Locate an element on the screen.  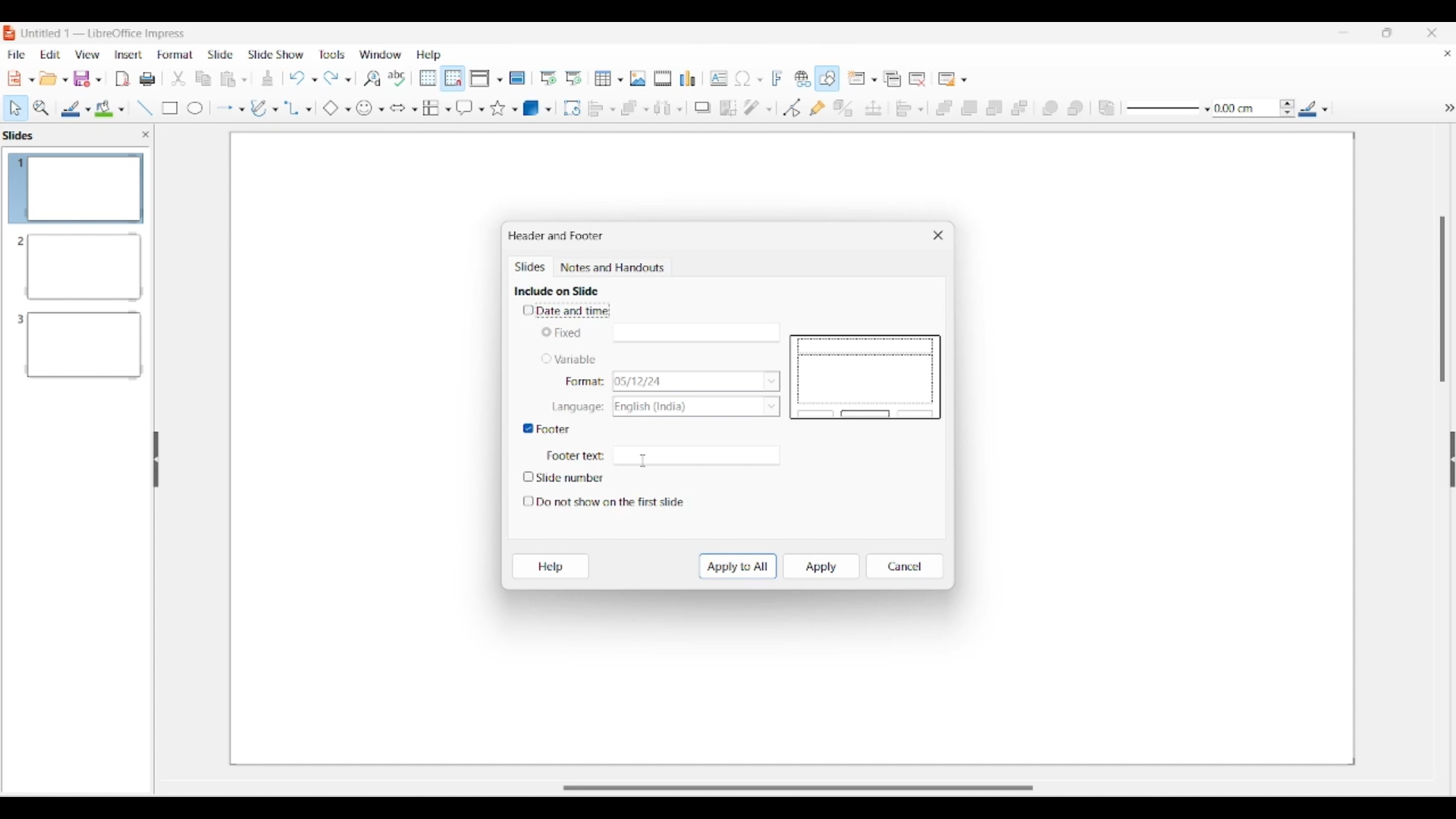
Spell check is located at coordinates (397, 78).